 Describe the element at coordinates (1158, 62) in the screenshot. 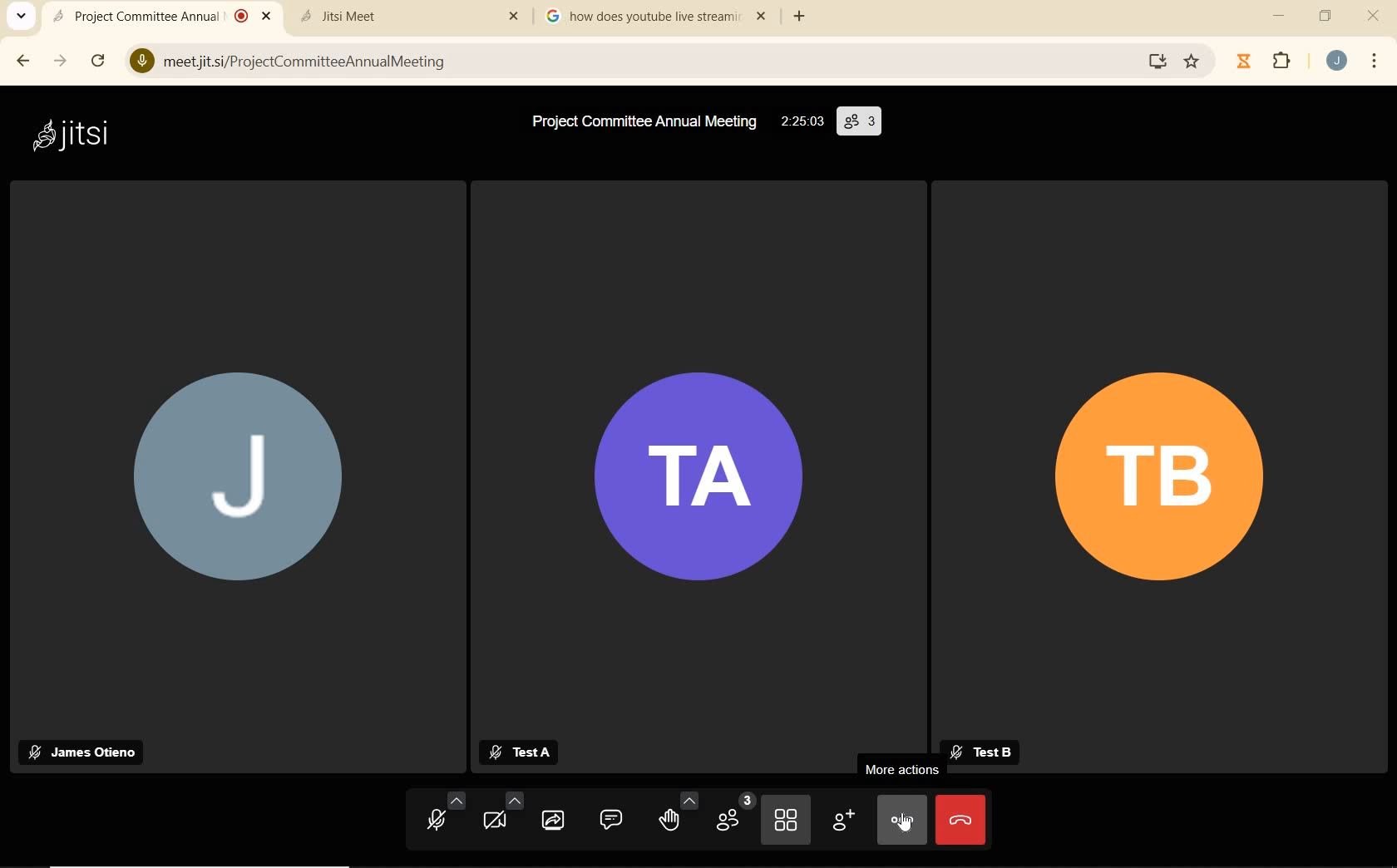

I see `Install Google Meet` at that location.